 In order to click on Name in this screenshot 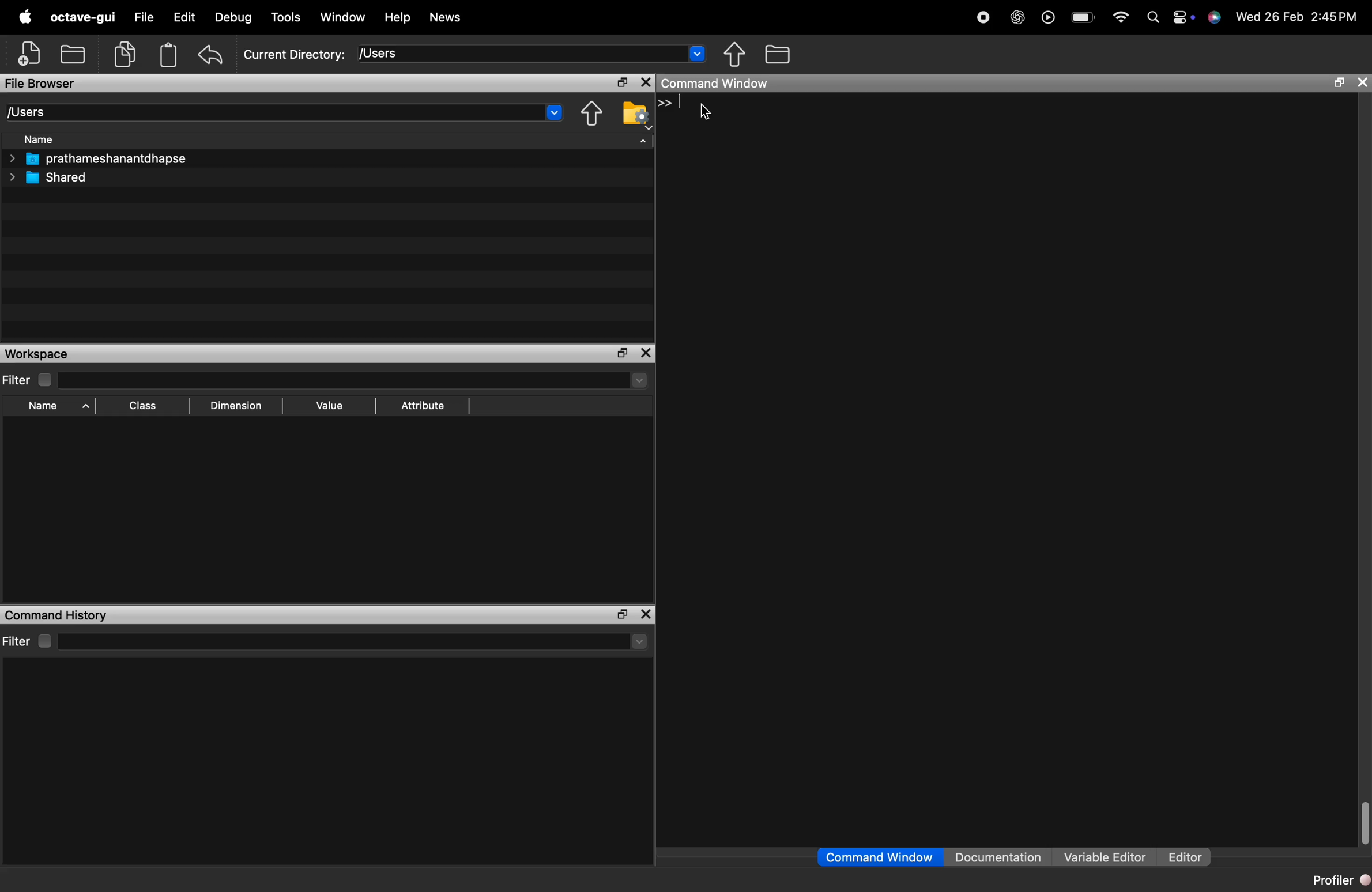, I will do `click(47, 139)`.